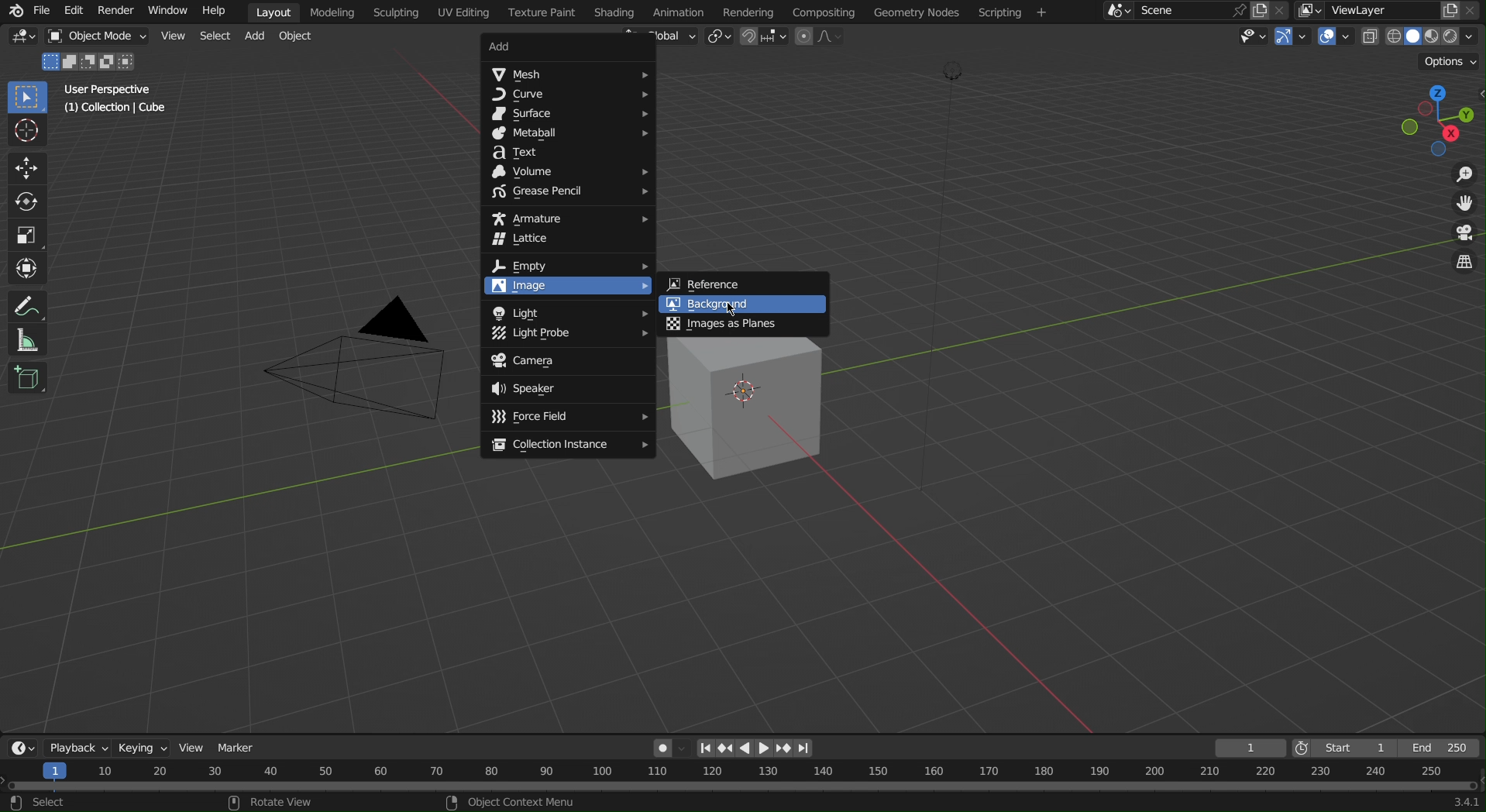  I want to click on Keying, so click(141, 746).